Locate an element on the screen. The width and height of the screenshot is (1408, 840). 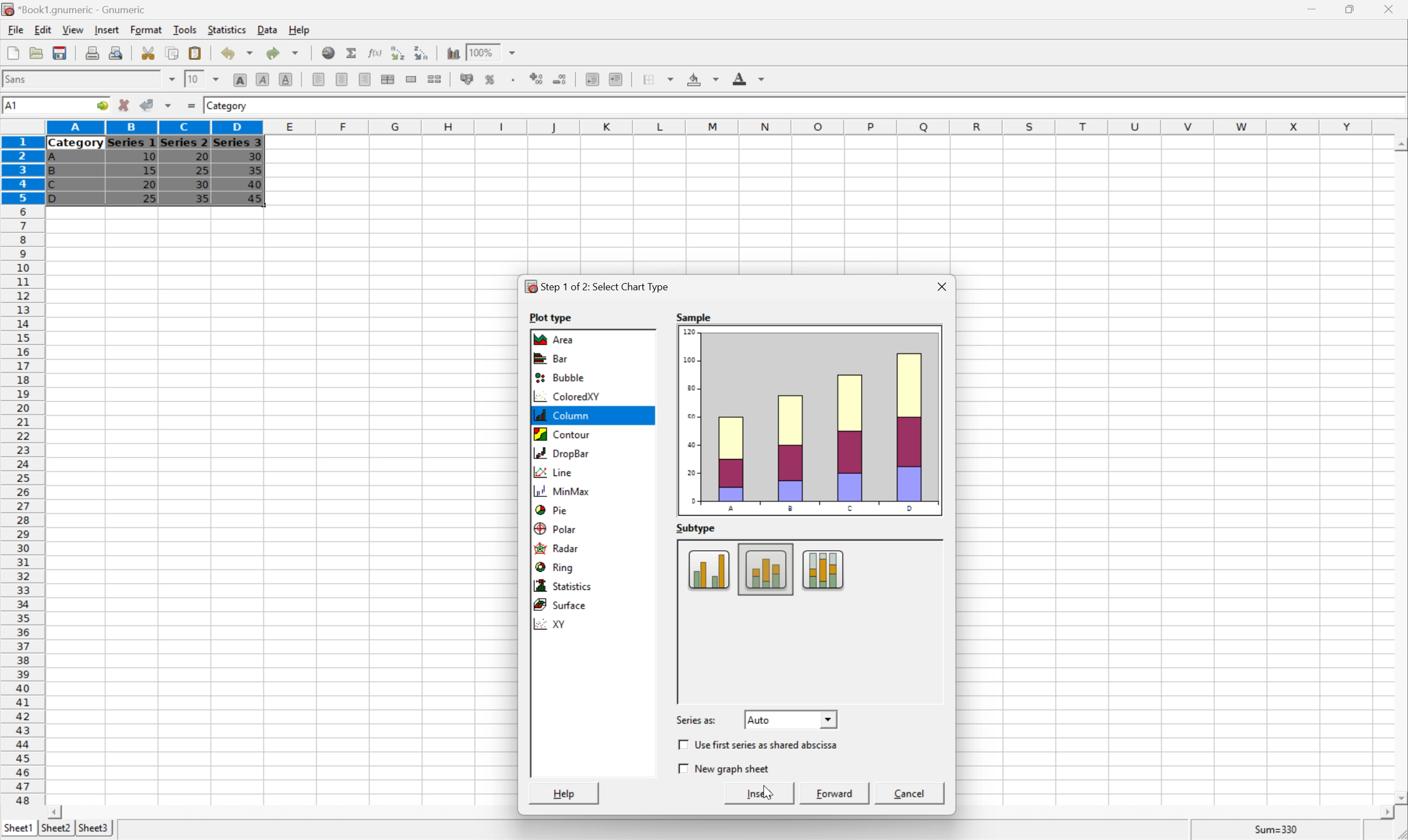
Cancel is located at coordinates (914, 794).